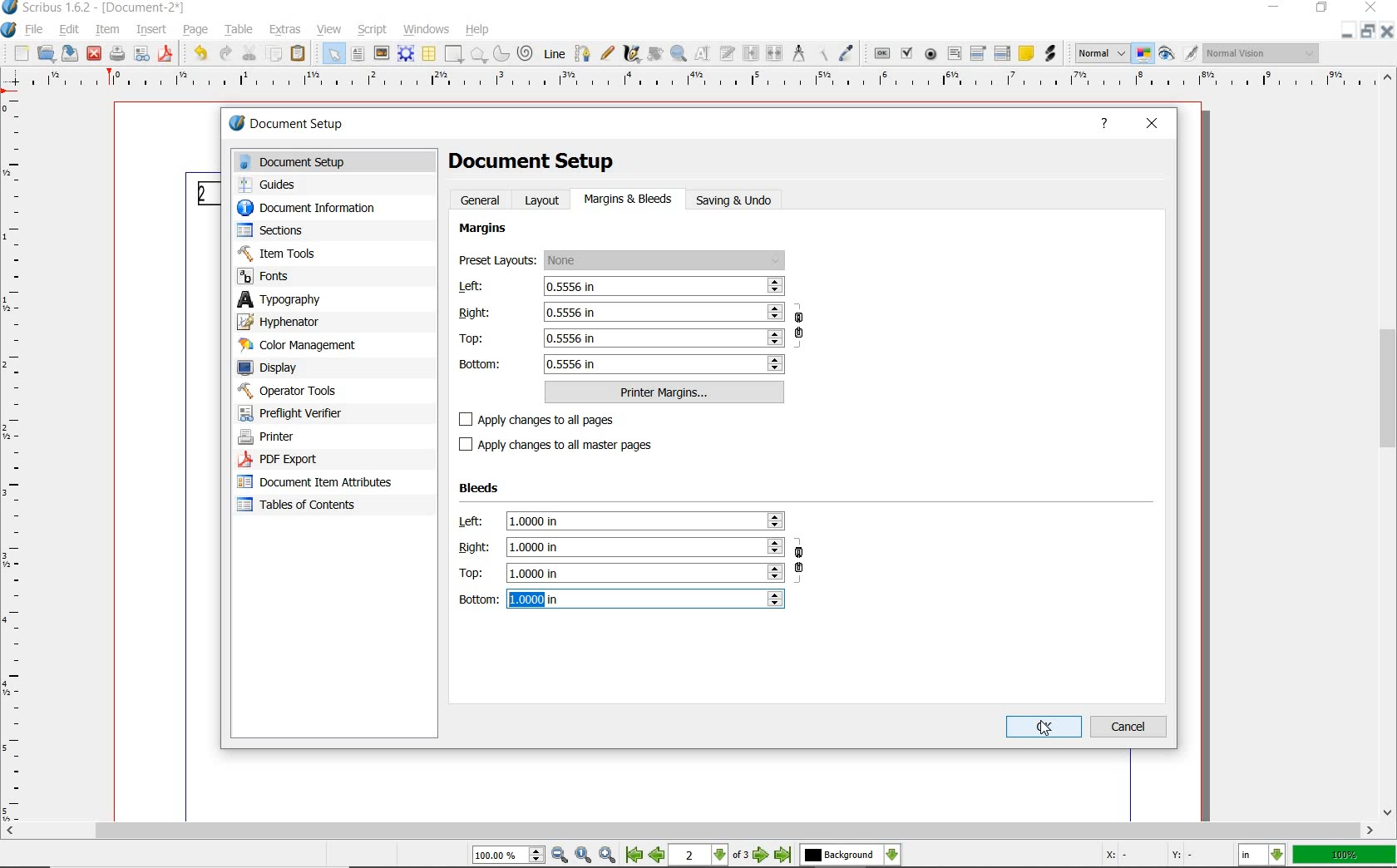 This screenshot has width=1397, height=868. Describe the element at coordinates (621, 338) in the screenshot. I see `Top` at that location.